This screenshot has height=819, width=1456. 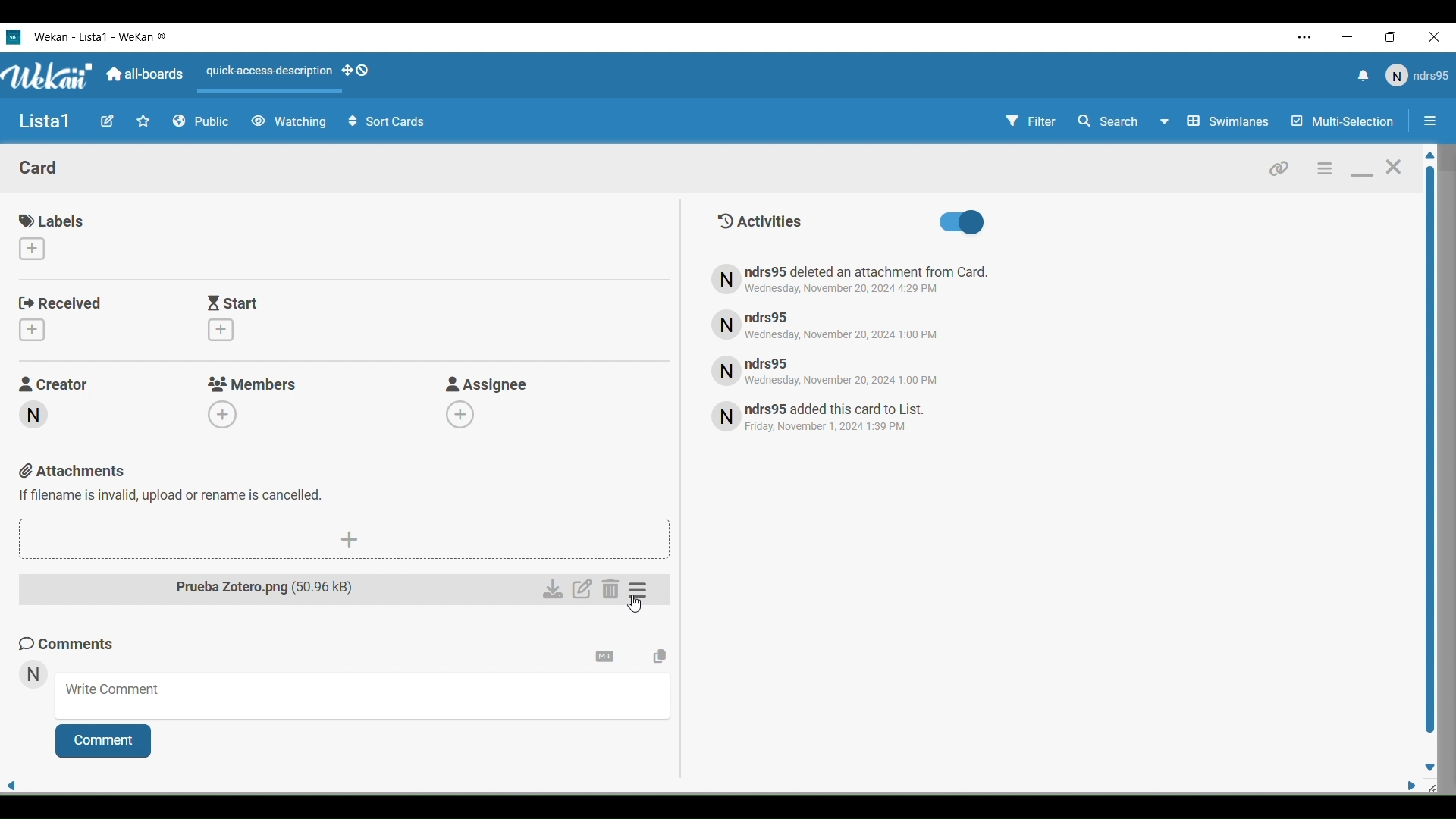 What do you see at coordinates (13, 36) in the screenshot?
I see `Wekan logo` at bounding box center [13, 36].